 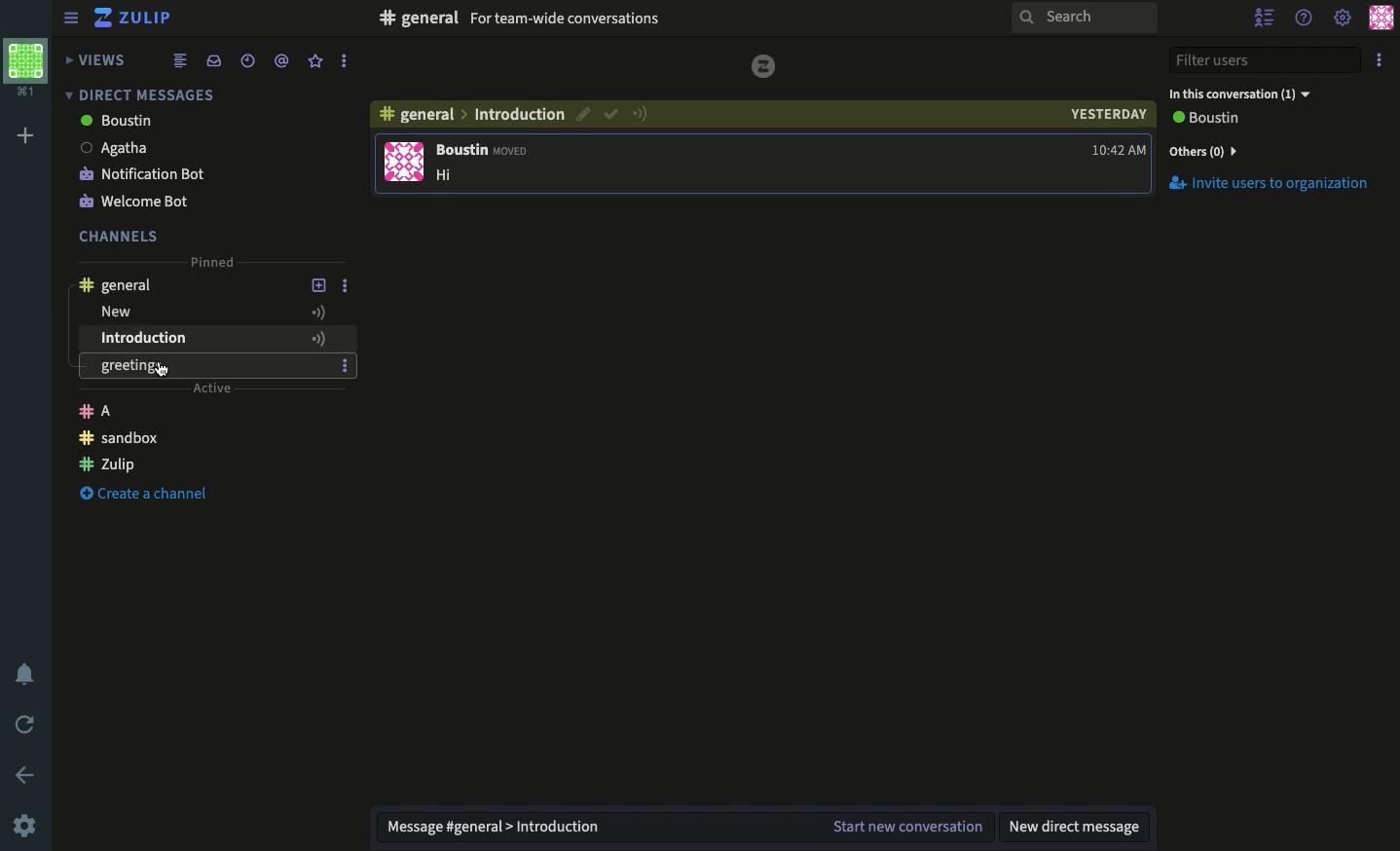 What do you see at coordinates (136, 20) in the screenshot?
I see `Zulip` at bounding box center [136, 20].